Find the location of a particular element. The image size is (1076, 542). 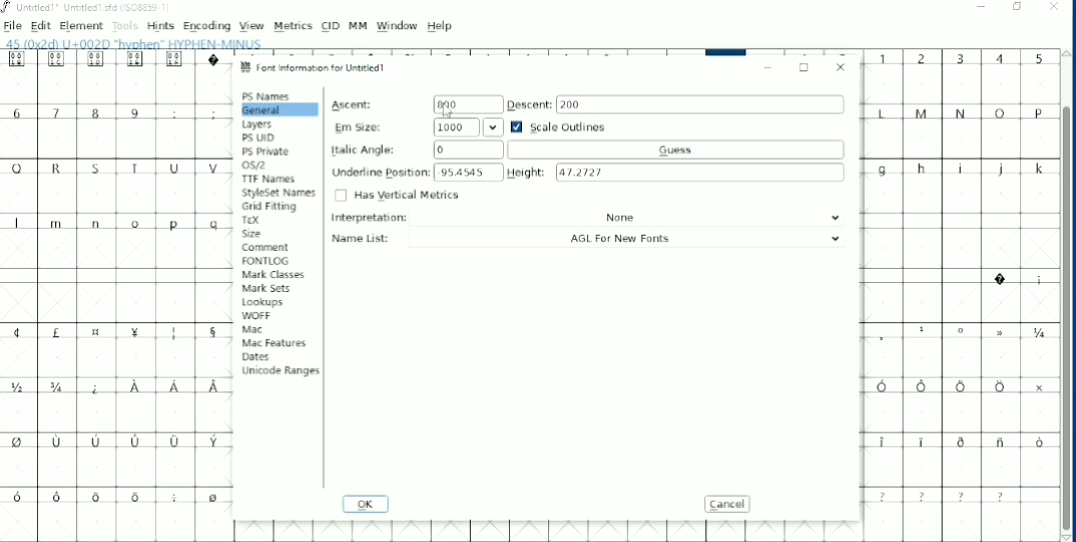

TEX is located at coordinates (252, 220).